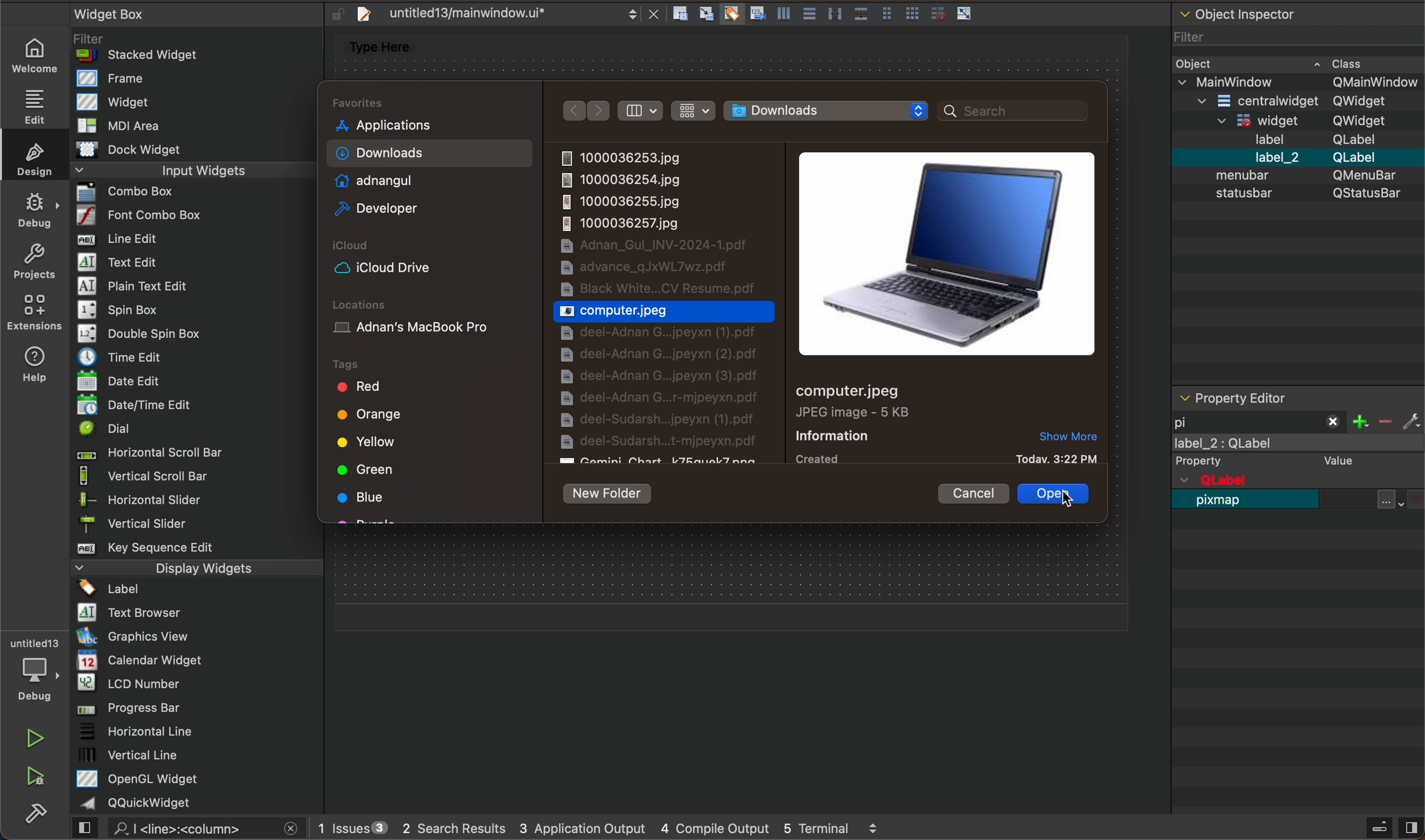  I want to click on property editor, so click(1276, 397).